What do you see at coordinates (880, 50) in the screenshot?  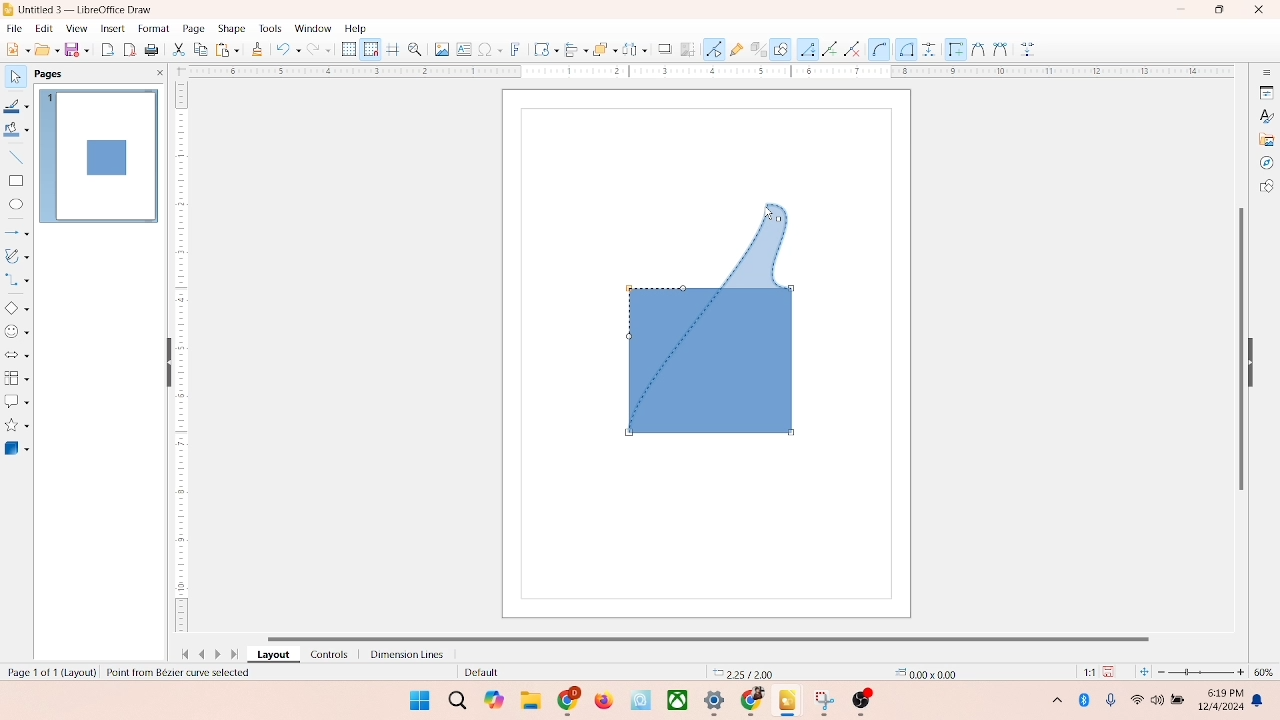 I see `Circle or Ellipse tool (Arc-specific)` at bounding box center [880, 50].